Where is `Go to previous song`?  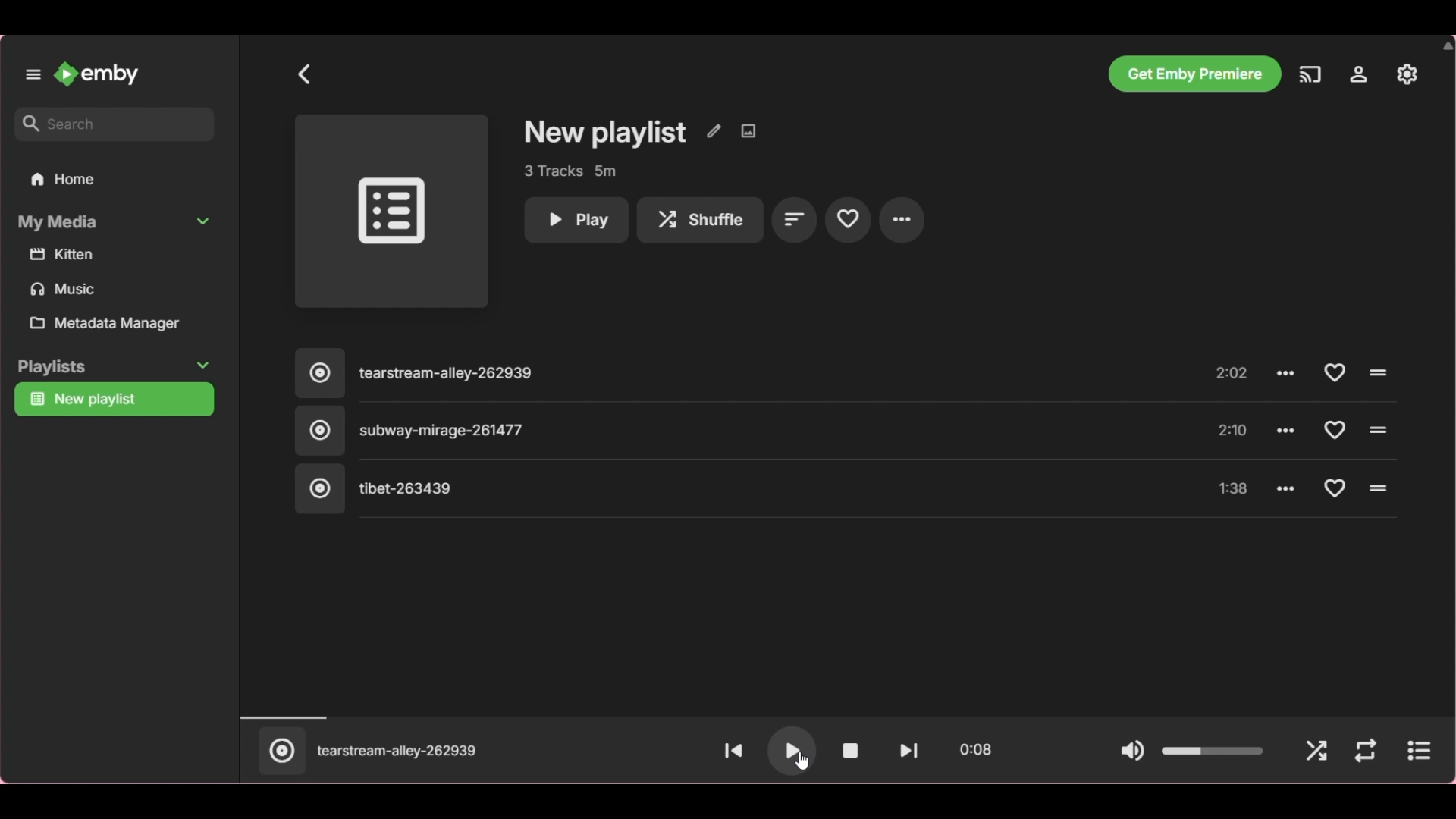
Go to previous song is located at coordinates (732, 749).